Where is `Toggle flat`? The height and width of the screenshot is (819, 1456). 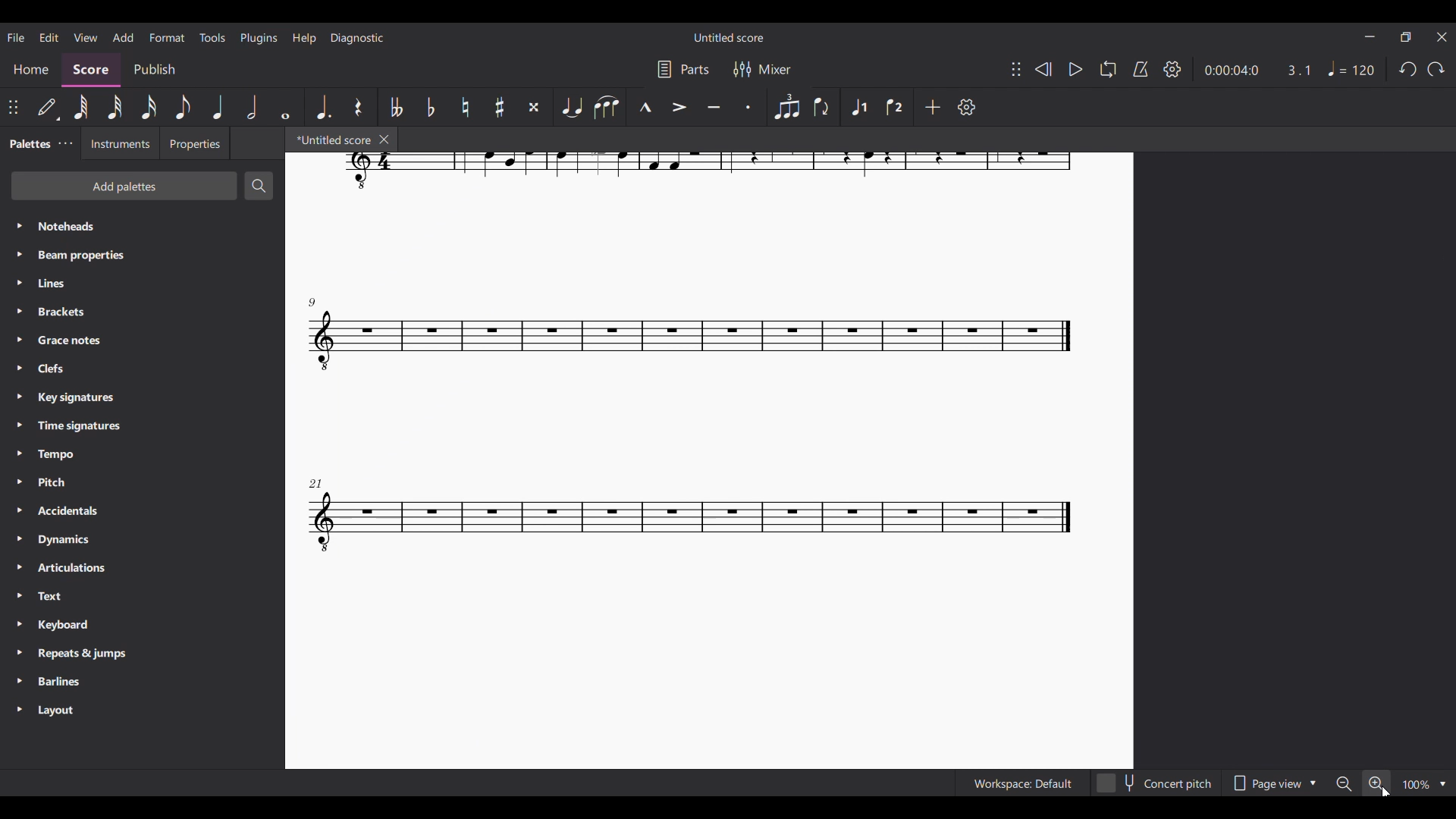 Toggle flat is located at coordinates (429, 107).